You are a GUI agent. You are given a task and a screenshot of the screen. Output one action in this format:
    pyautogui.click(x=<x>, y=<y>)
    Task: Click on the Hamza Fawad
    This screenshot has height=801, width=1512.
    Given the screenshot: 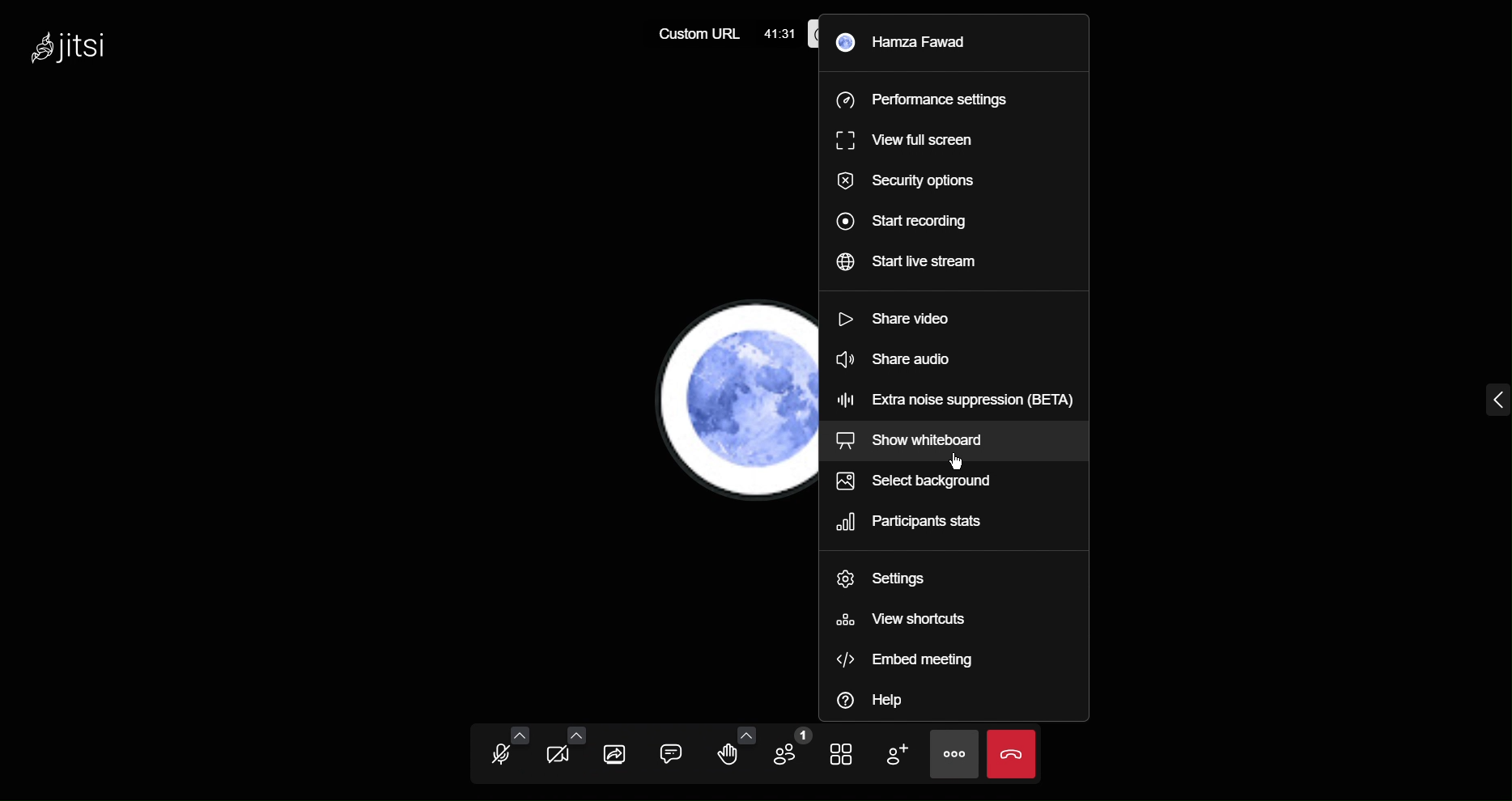 What is the action you would take?
    pyautogui.click(x=905, y=40)
    